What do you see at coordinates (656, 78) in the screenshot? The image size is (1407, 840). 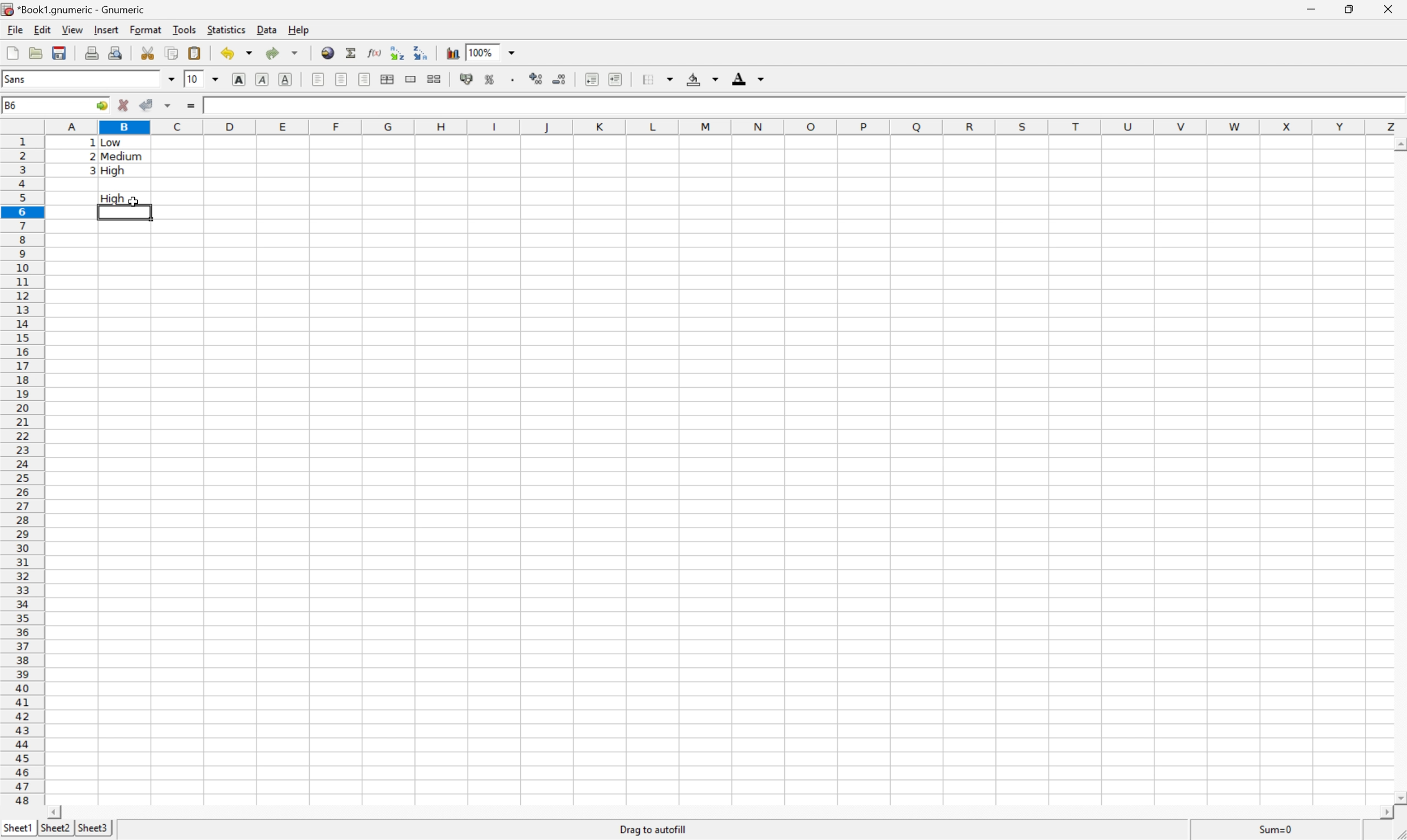 I see `Borders` at bounding box center [656, 78].